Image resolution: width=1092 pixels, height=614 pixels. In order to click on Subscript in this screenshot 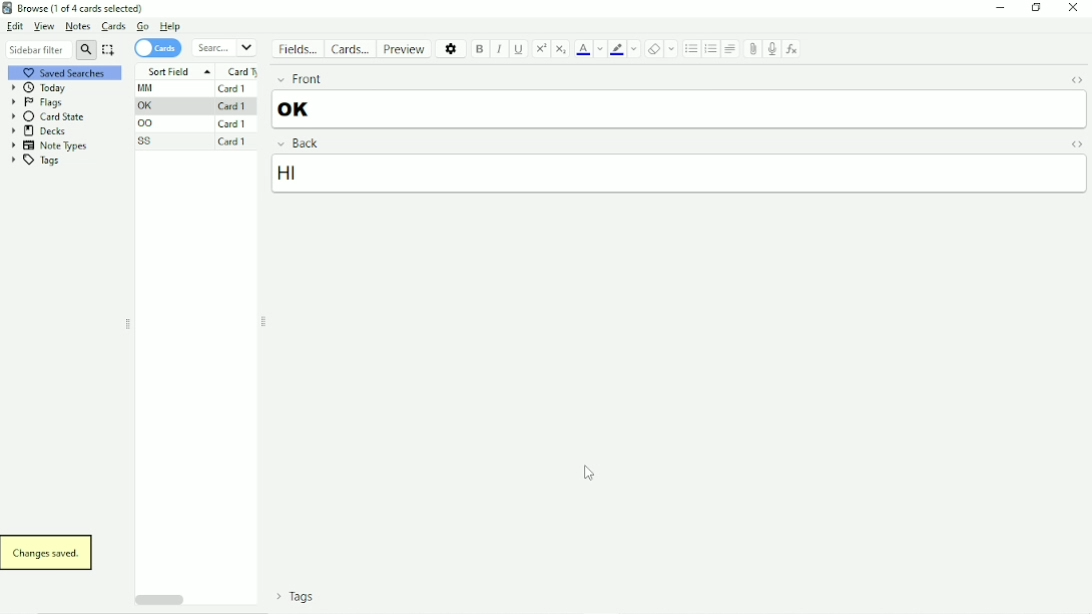, I will do `click(561, 48)`.